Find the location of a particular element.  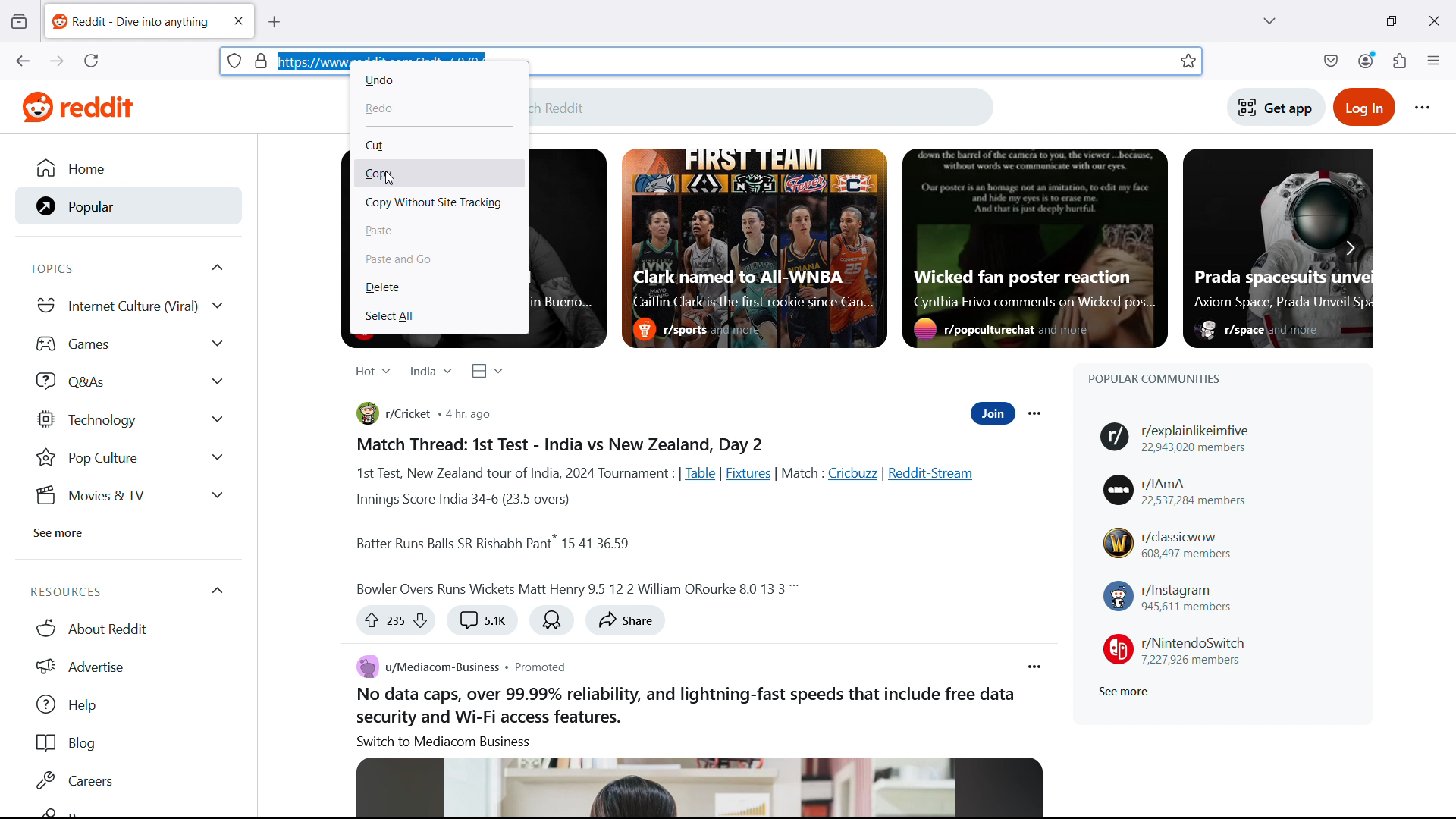

Website logo  is located at coordinates (73, 108).